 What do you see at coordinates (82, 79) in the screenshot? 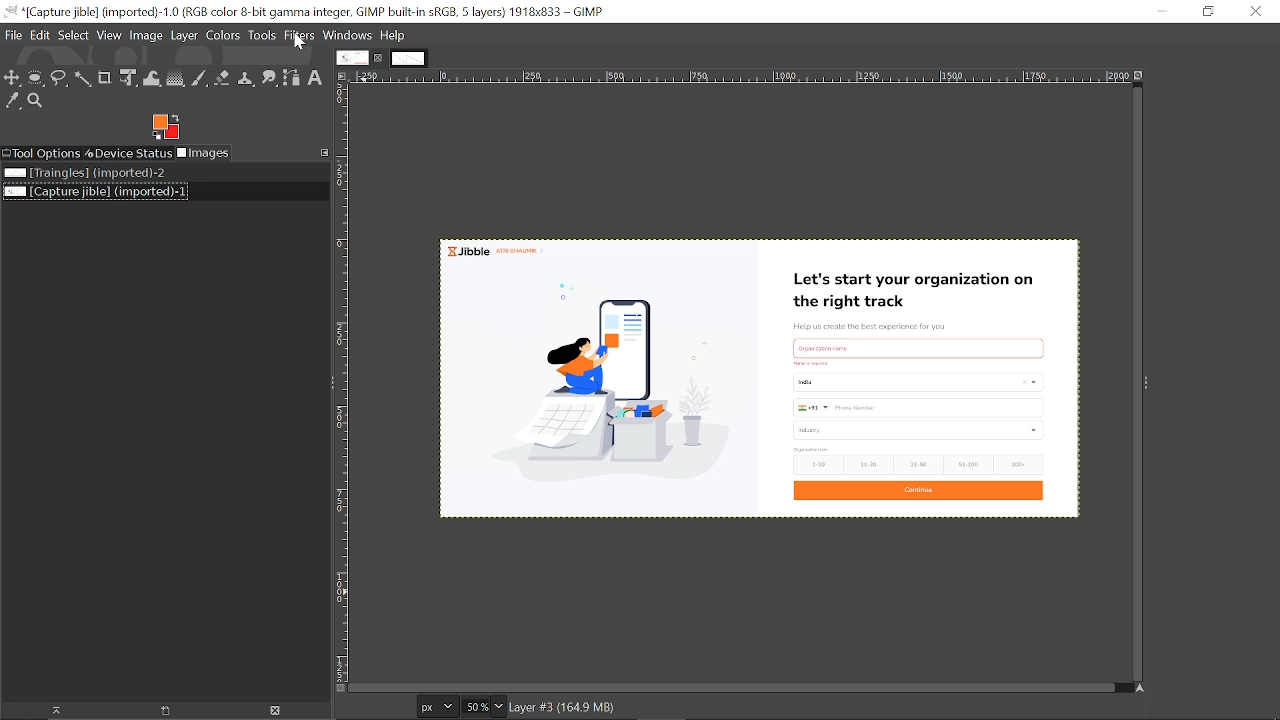
I see `Fuzzy select tool` at bounding box center [82, 79].